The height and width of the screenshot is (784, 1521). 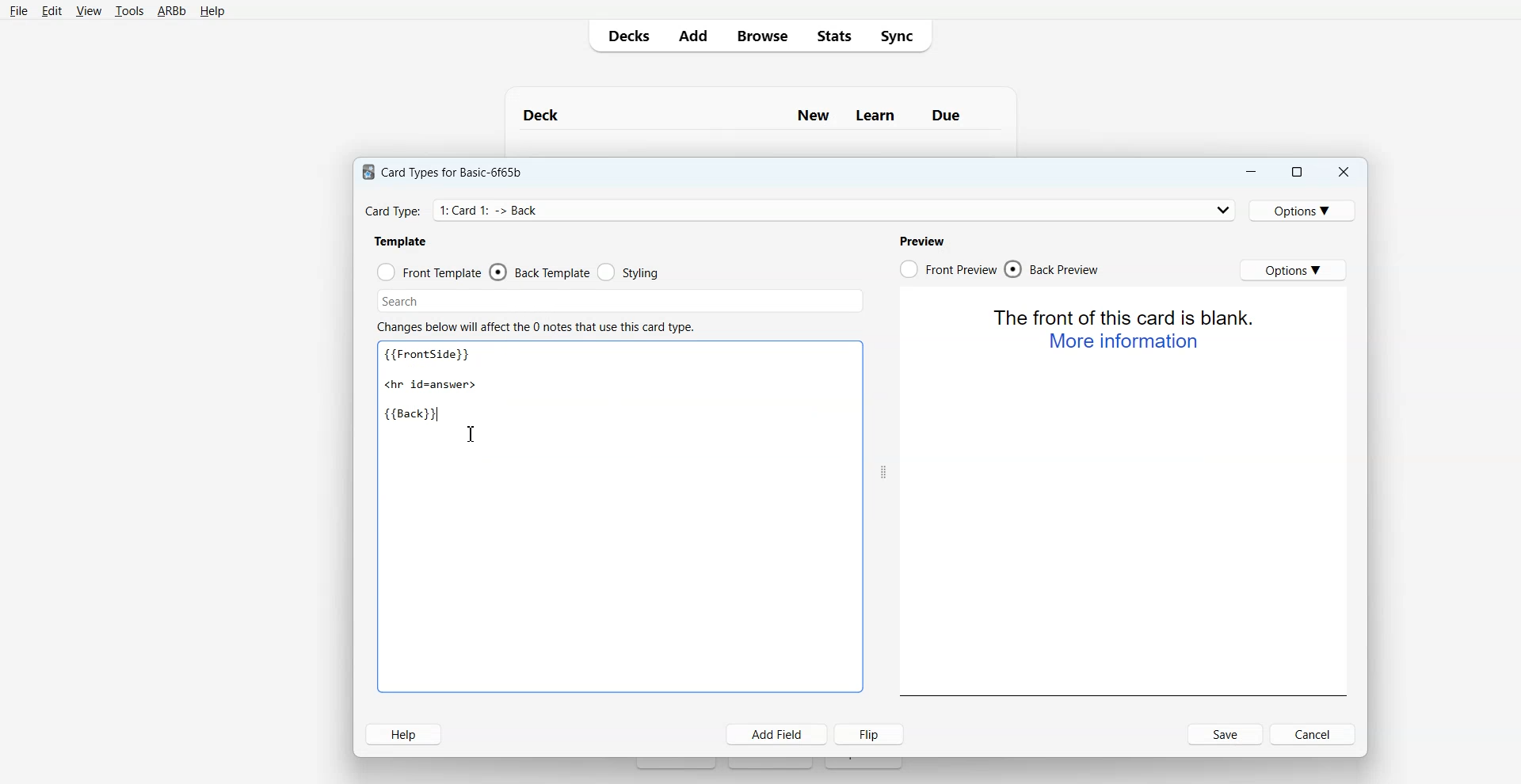 What do you see at coordinates (799, 209) in the screenshot?
I see `Card Type` at bounding box center [799, 209].